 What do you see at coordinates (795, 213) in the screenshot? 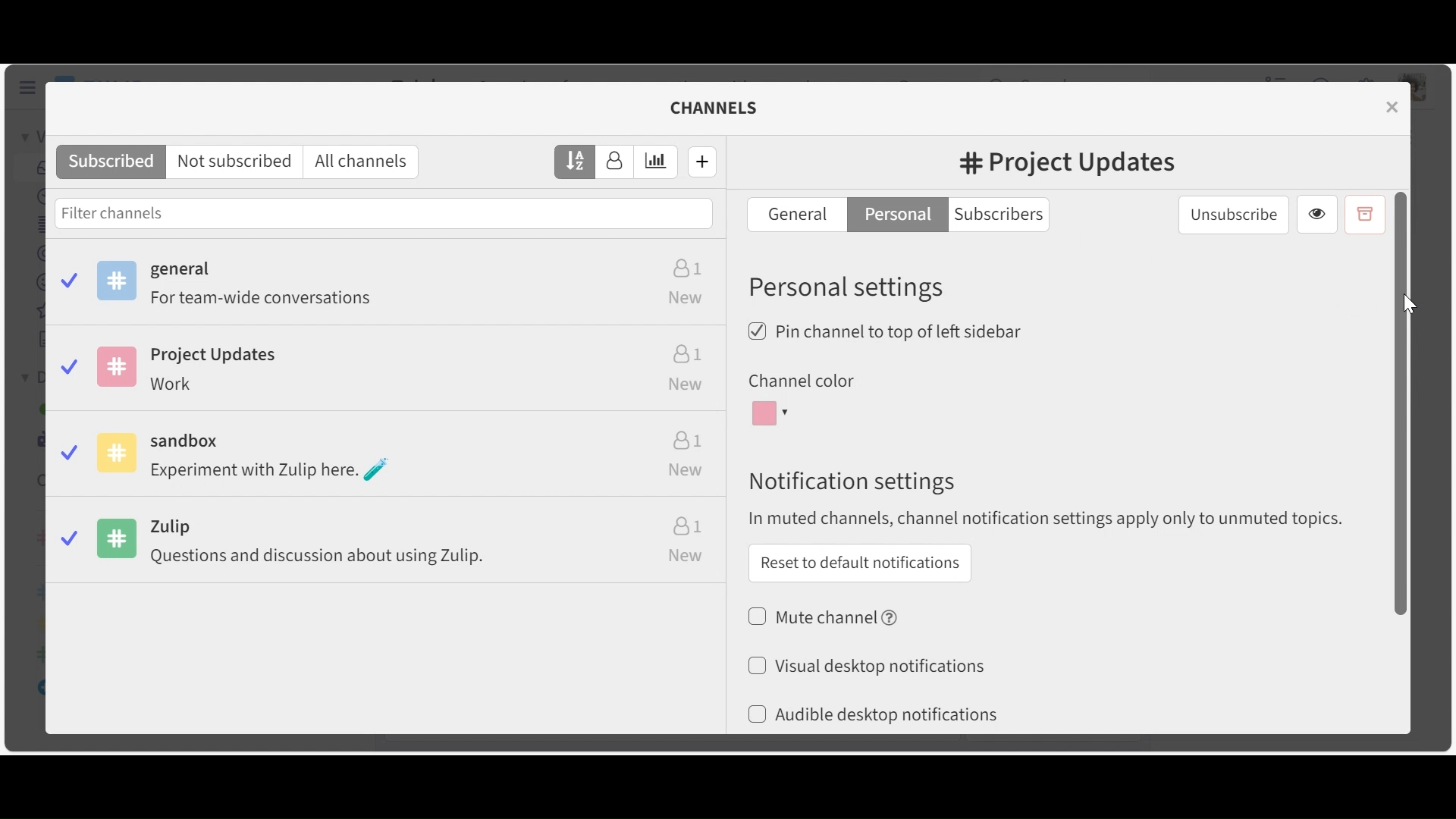
I see `` at bounding box center [795, 213].